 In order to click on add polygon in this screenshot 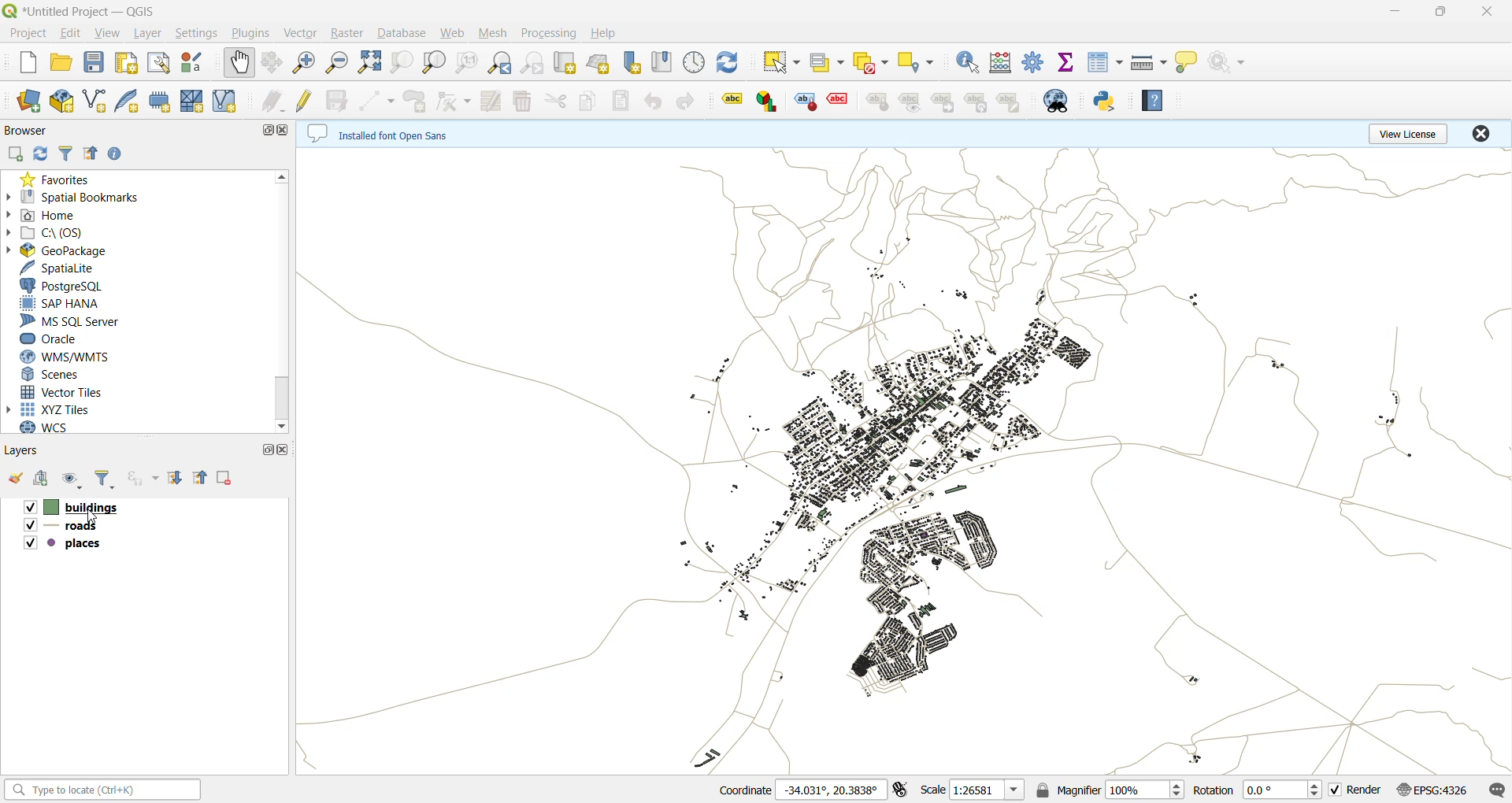, I will do `click(415, 100)`.